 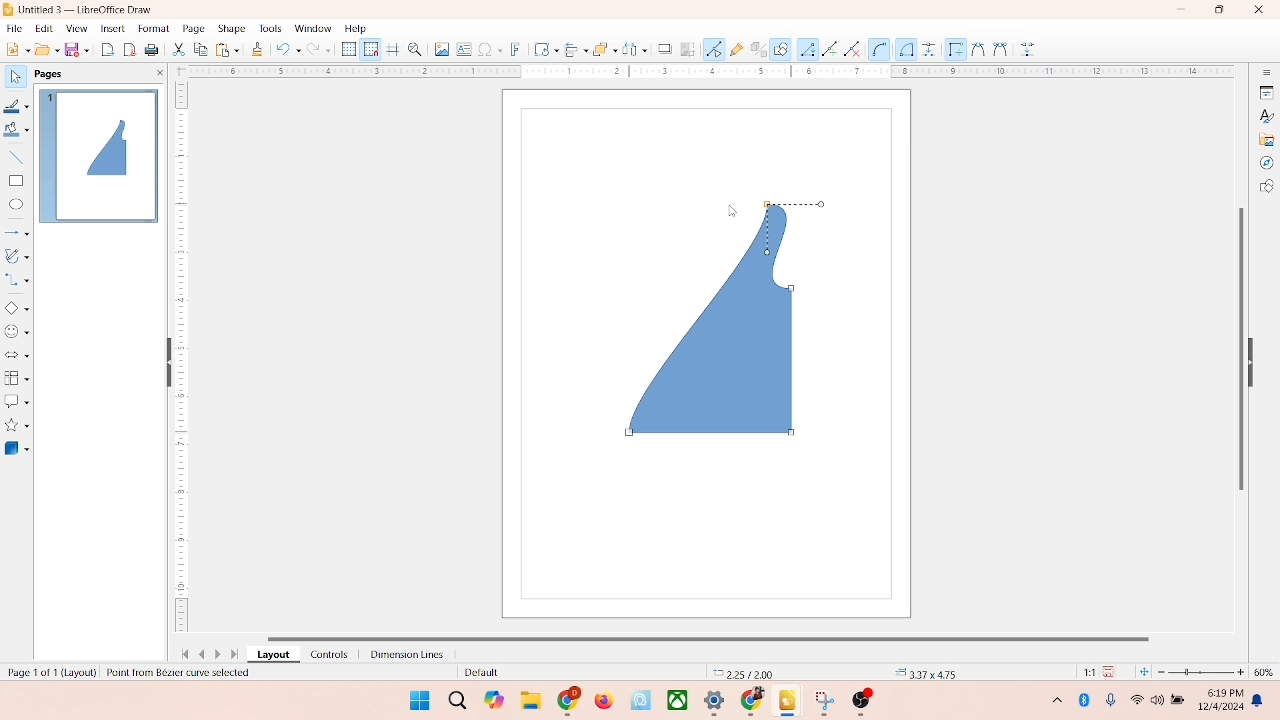 What do you see at coordinates (1265, 115) in the screenshot?
I see `styles` at bounding box center [1265, 115].